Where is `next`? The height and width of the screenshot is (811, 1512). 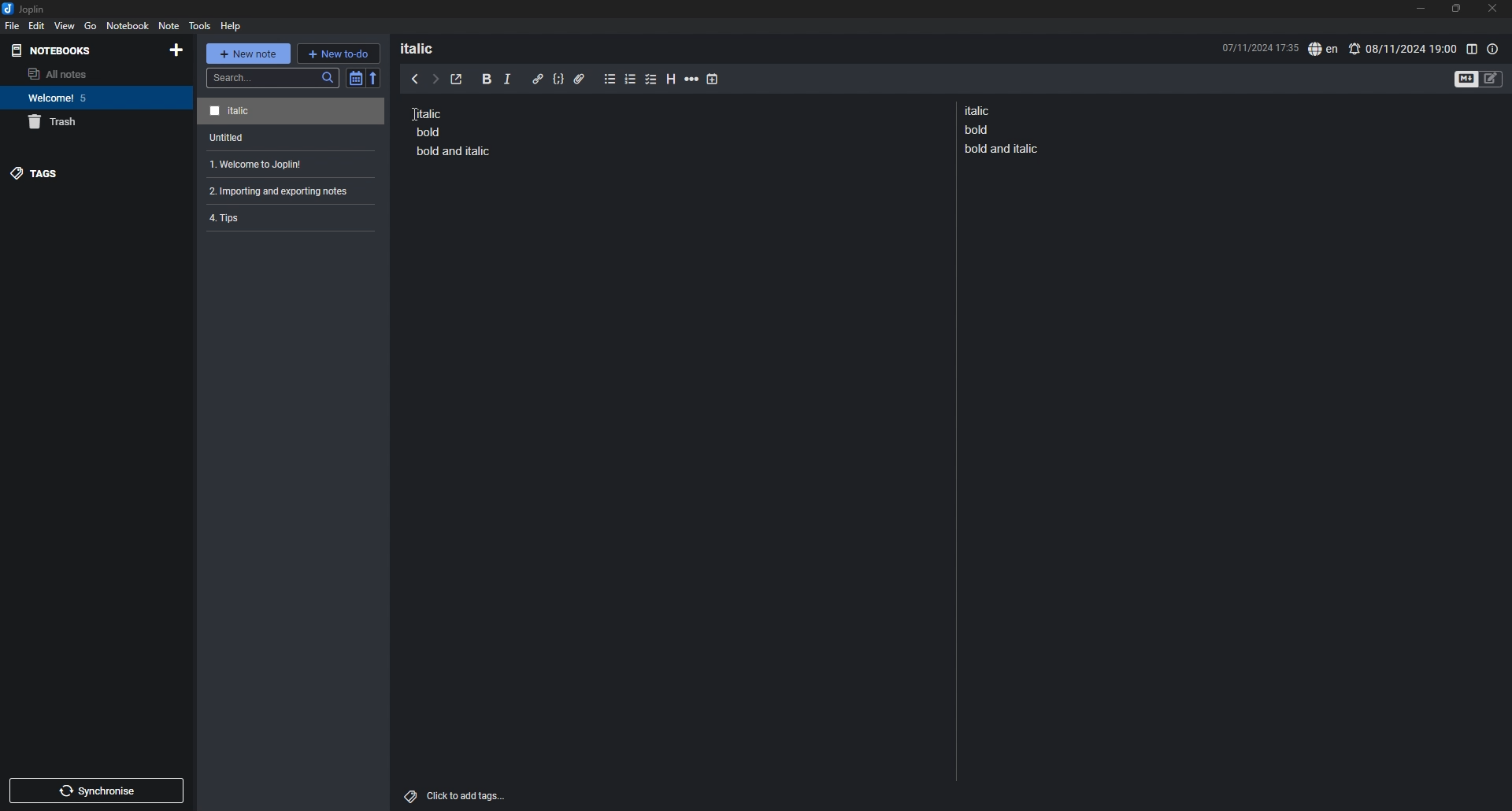
next is located at coordinates (435, 80).